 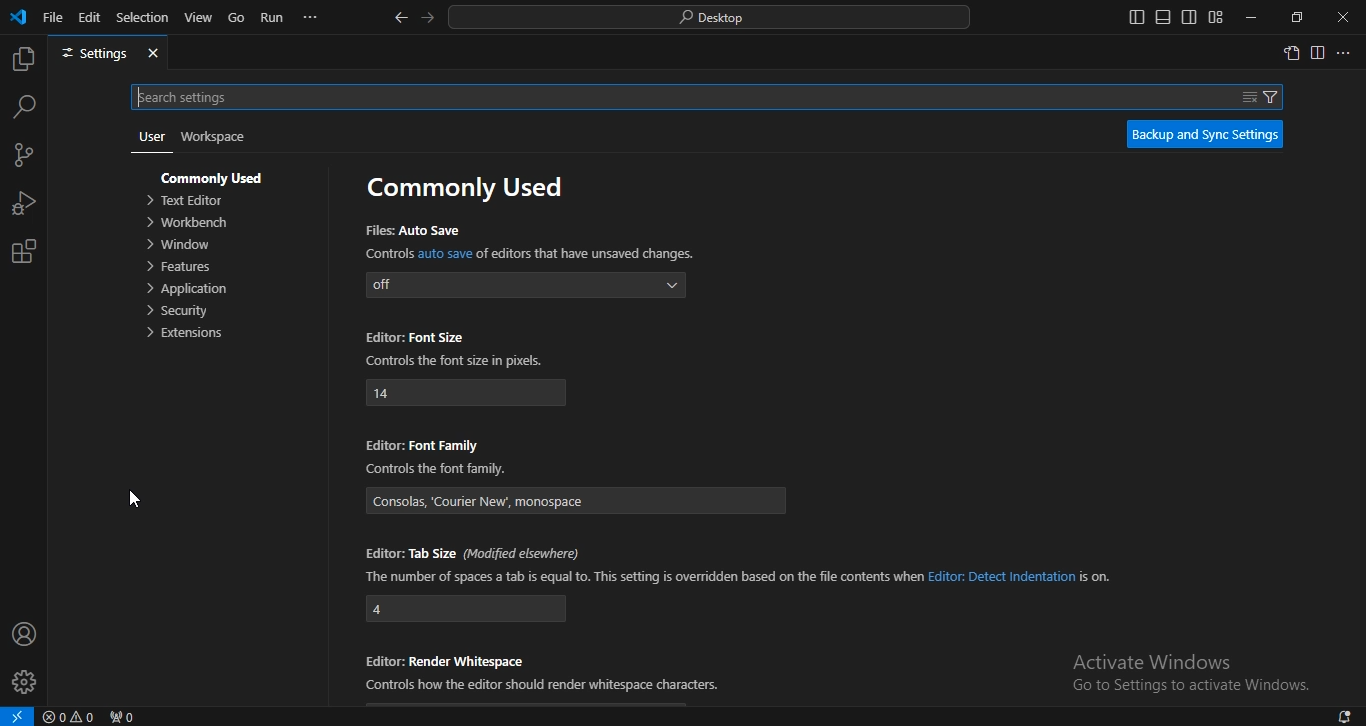 What do you see at coordinates (137, 501) in the screenshot?
I see `Cursor` at bounding box center [137, 501].